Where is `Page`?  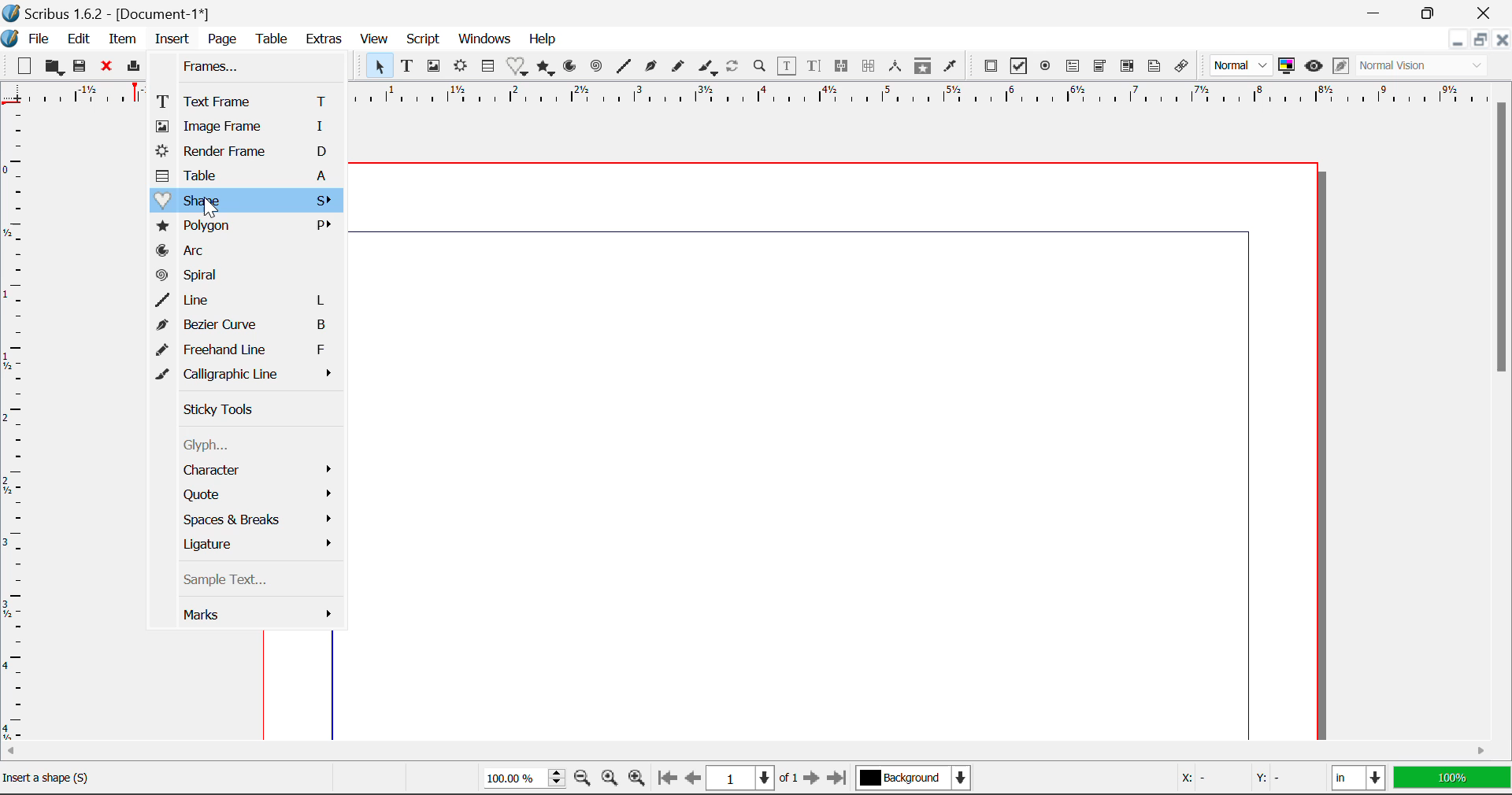
Page is located at coordinates (224, 39).